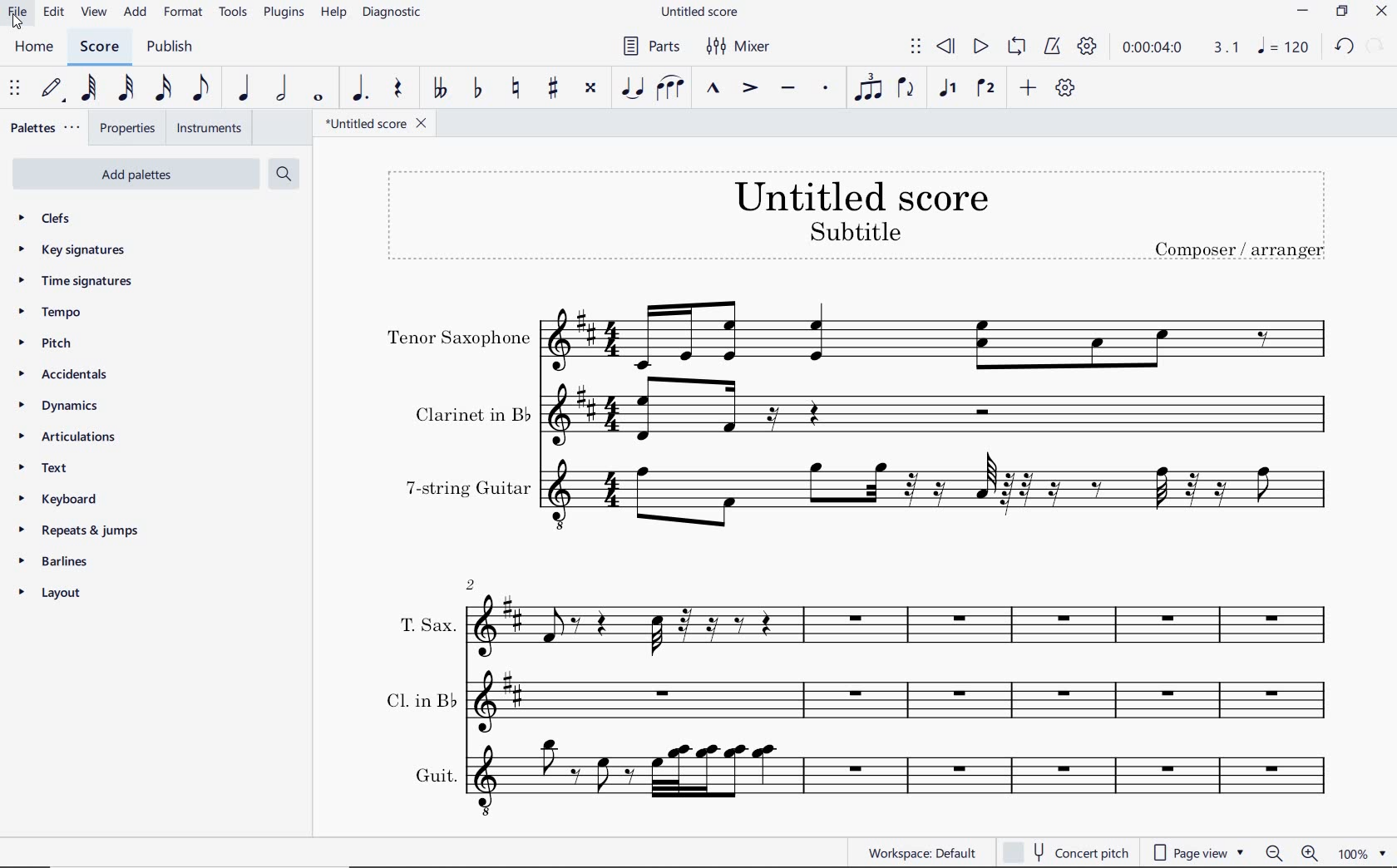  I want to click on VIEW, so click(94, 11).